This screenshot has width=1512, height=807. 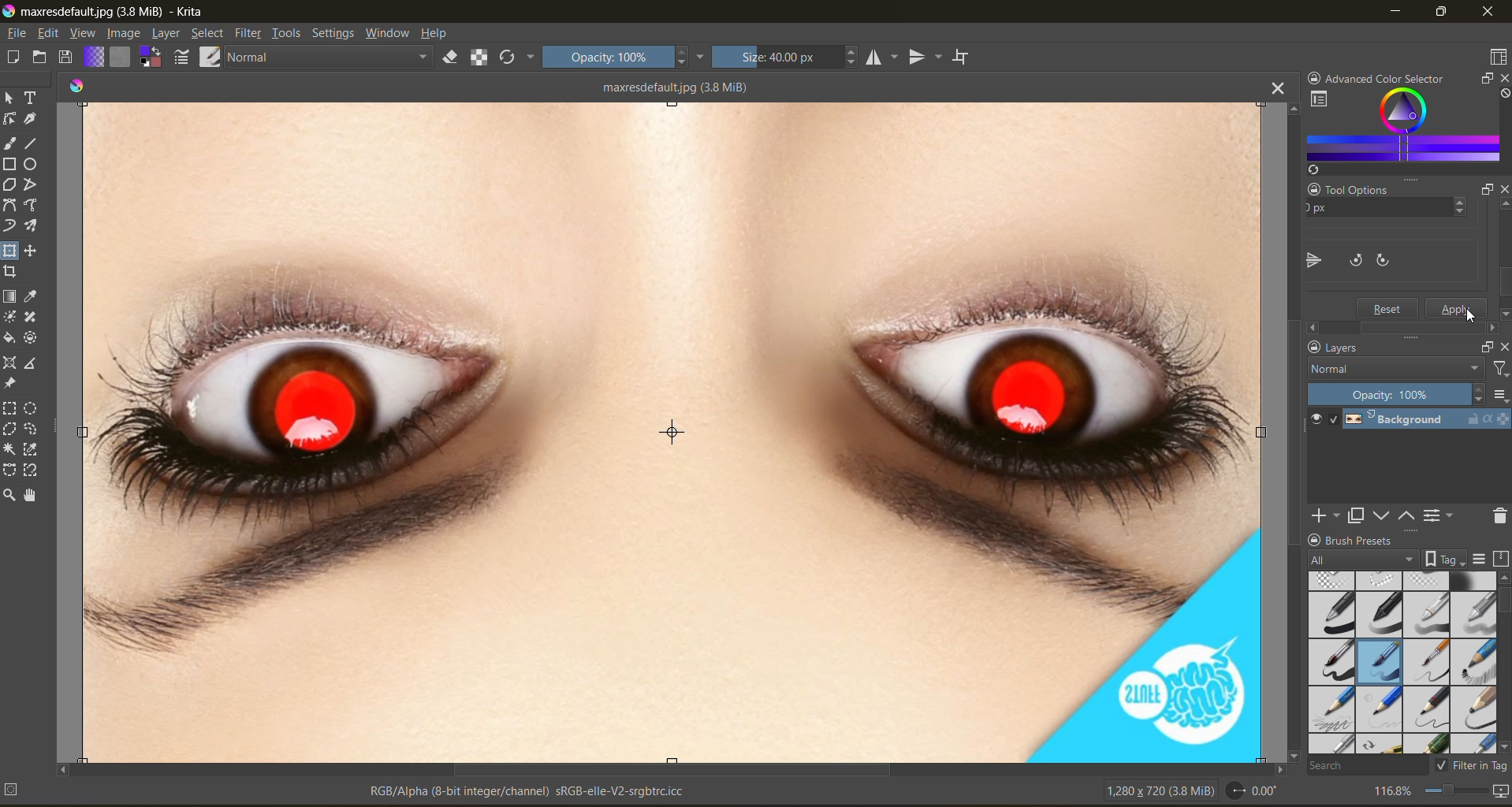 I want to click on view, so click(x=82, y=33).